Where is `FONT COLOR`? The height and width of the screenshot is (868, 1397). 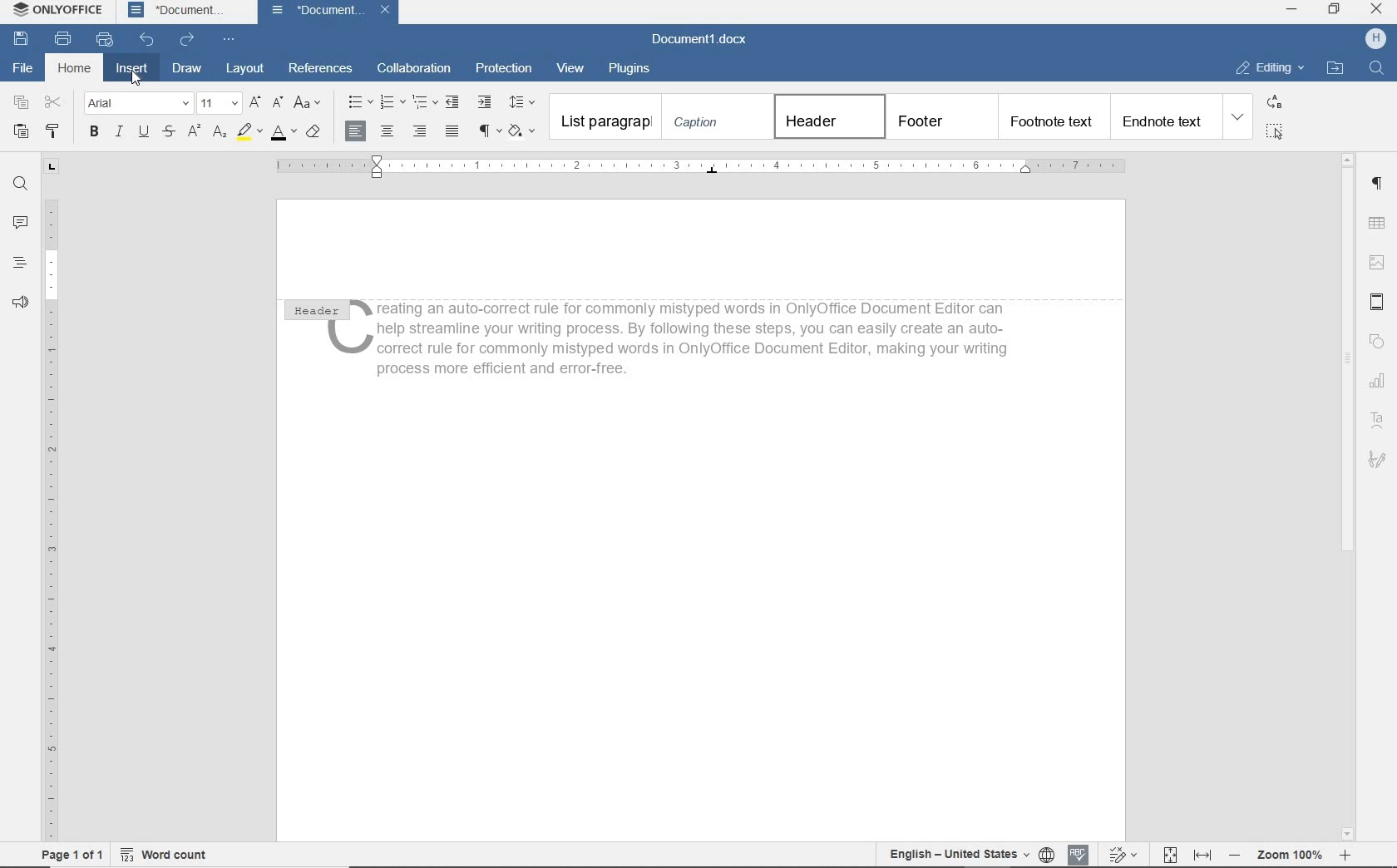
FONT COLOR is located at coordinates (284, 133).